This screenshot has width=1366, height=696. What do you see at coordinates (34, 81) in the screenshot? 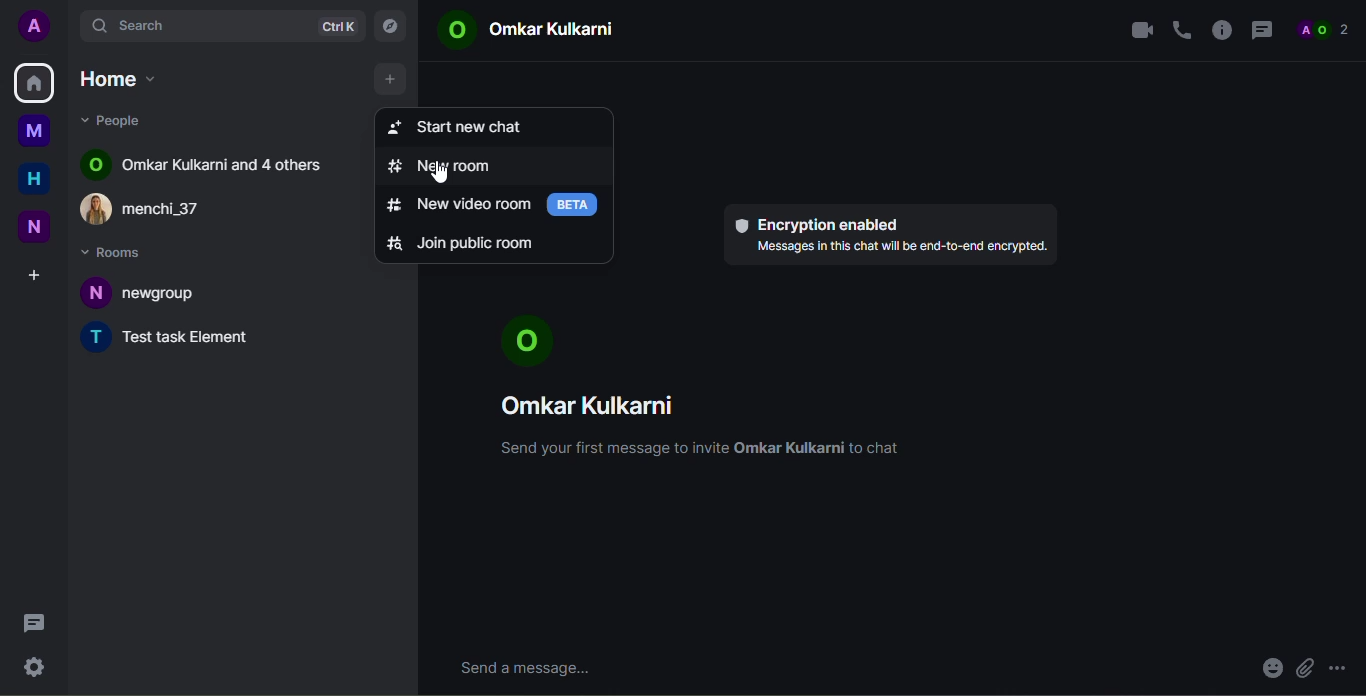
I see `home` at bounding box center [34, 81].